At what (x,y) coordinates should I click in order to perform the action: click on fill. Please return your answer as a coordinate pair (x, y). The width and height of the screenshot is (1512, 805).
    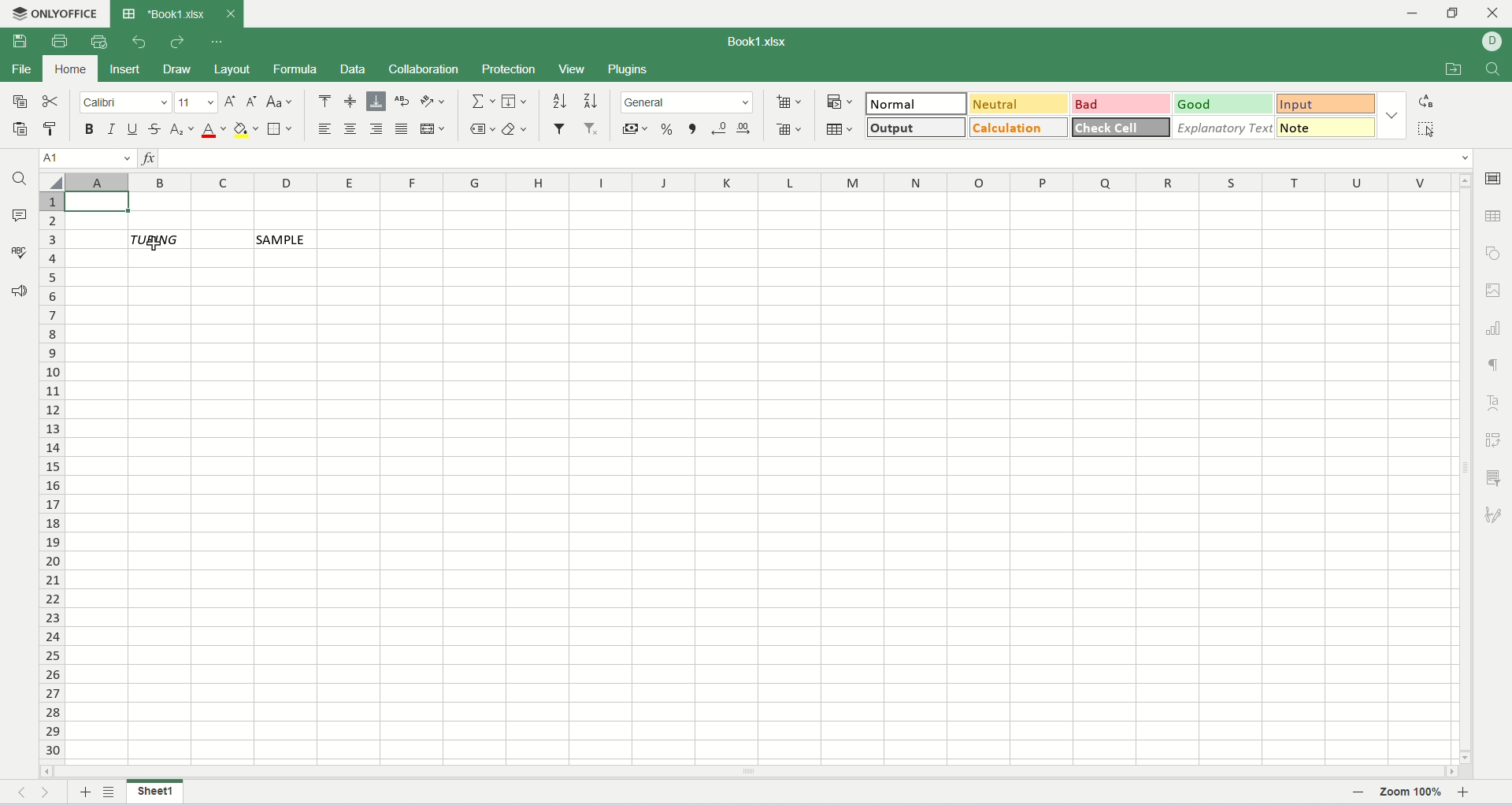
    Looking at the image, I should click on (515, 101).